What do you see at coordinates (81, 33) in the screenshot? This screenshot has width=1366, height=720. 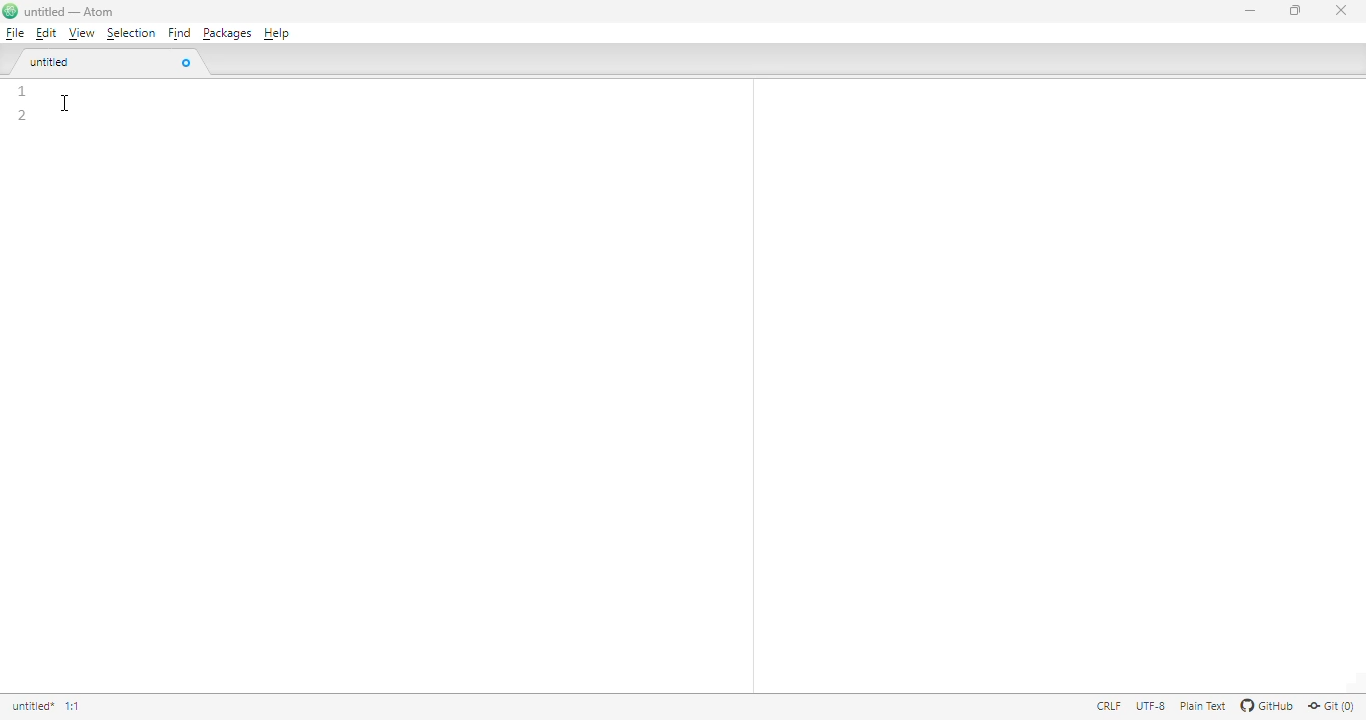 I see `view` at bounding box center [81, 33].